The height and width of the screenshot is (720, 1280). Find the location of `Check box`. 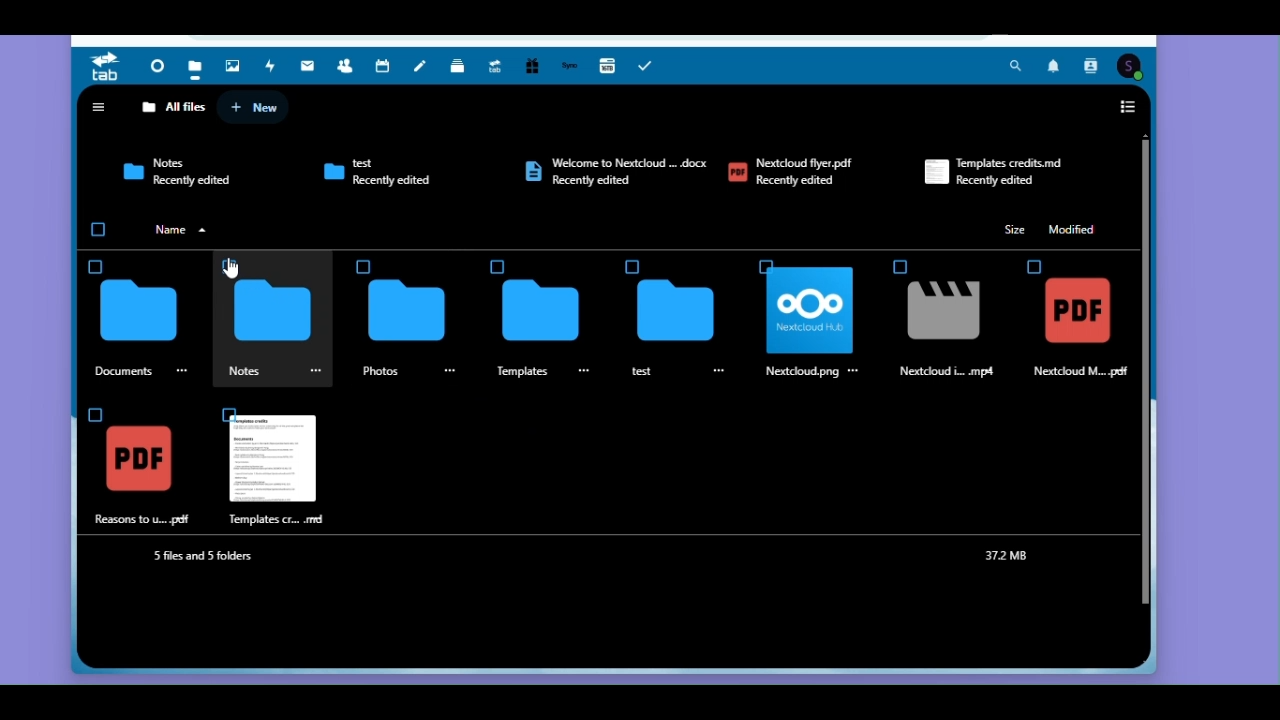

Check box is located at coordinates (227, 414).